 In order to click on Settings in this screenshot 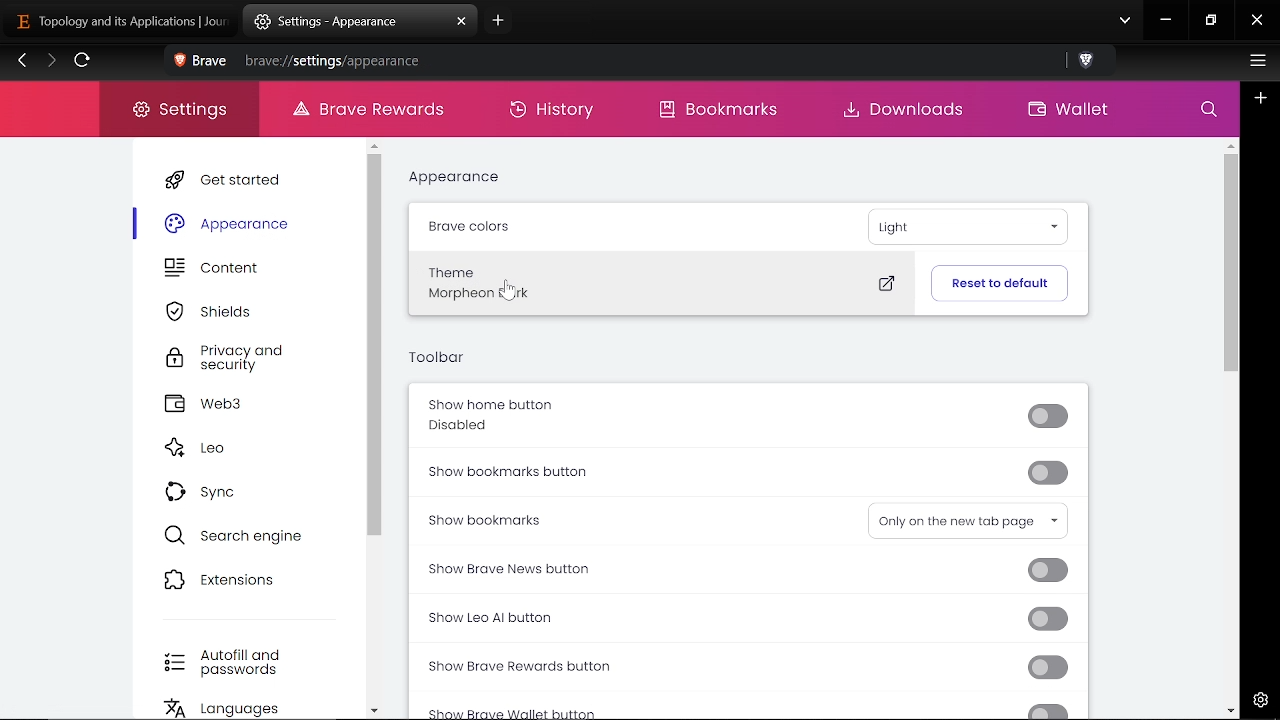, I will do `click(180, 110)`.